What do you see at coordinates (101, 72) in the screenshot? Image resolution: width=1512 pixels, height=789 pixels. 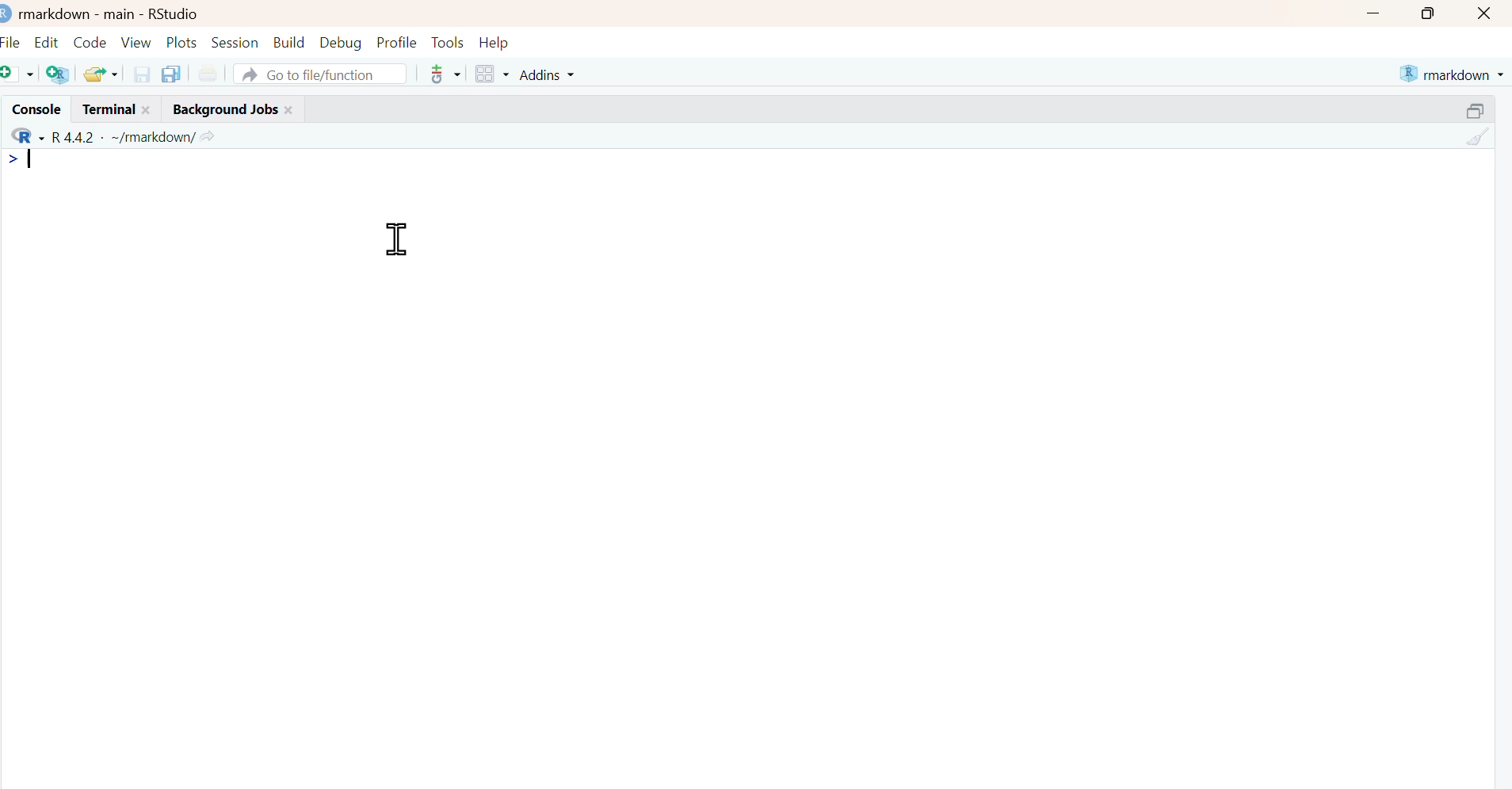 I see `open recent files` at bounding box center [101, 72].